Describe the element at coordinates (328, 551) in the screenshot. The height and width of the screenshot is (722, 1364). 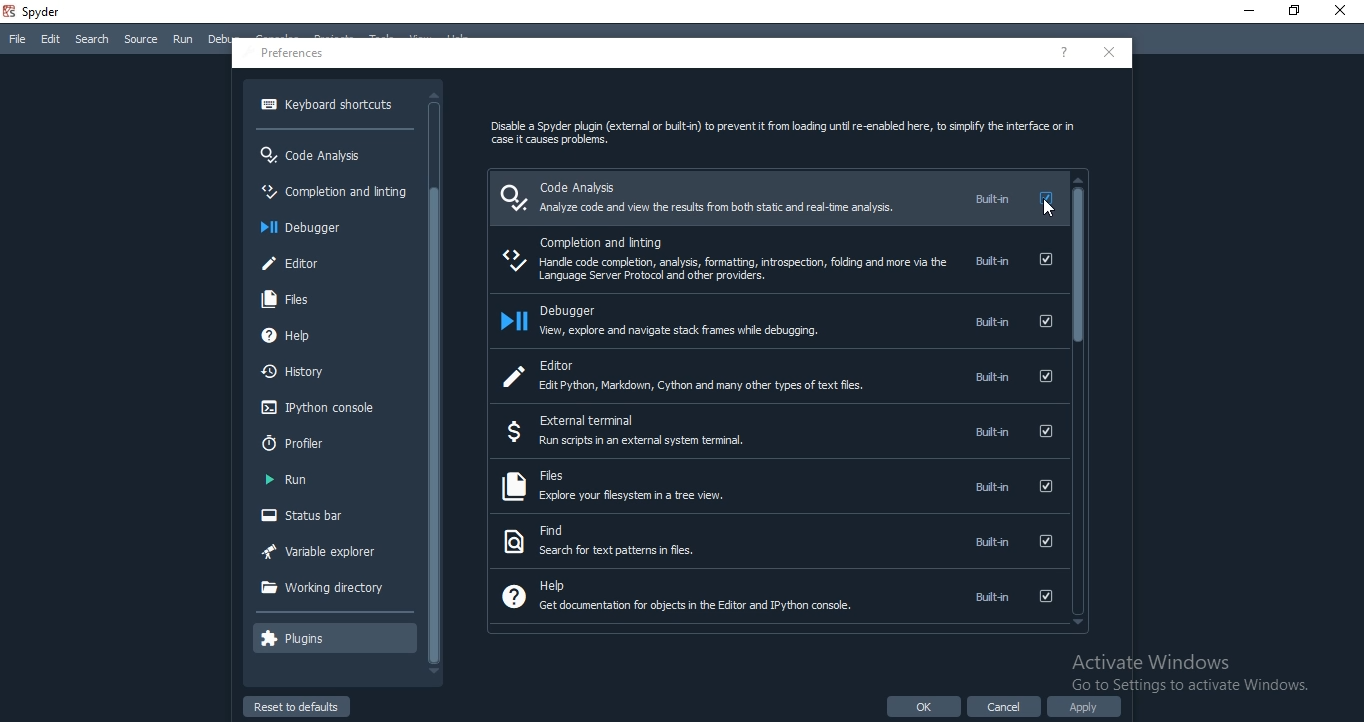
I see `variable explorer` at that location.